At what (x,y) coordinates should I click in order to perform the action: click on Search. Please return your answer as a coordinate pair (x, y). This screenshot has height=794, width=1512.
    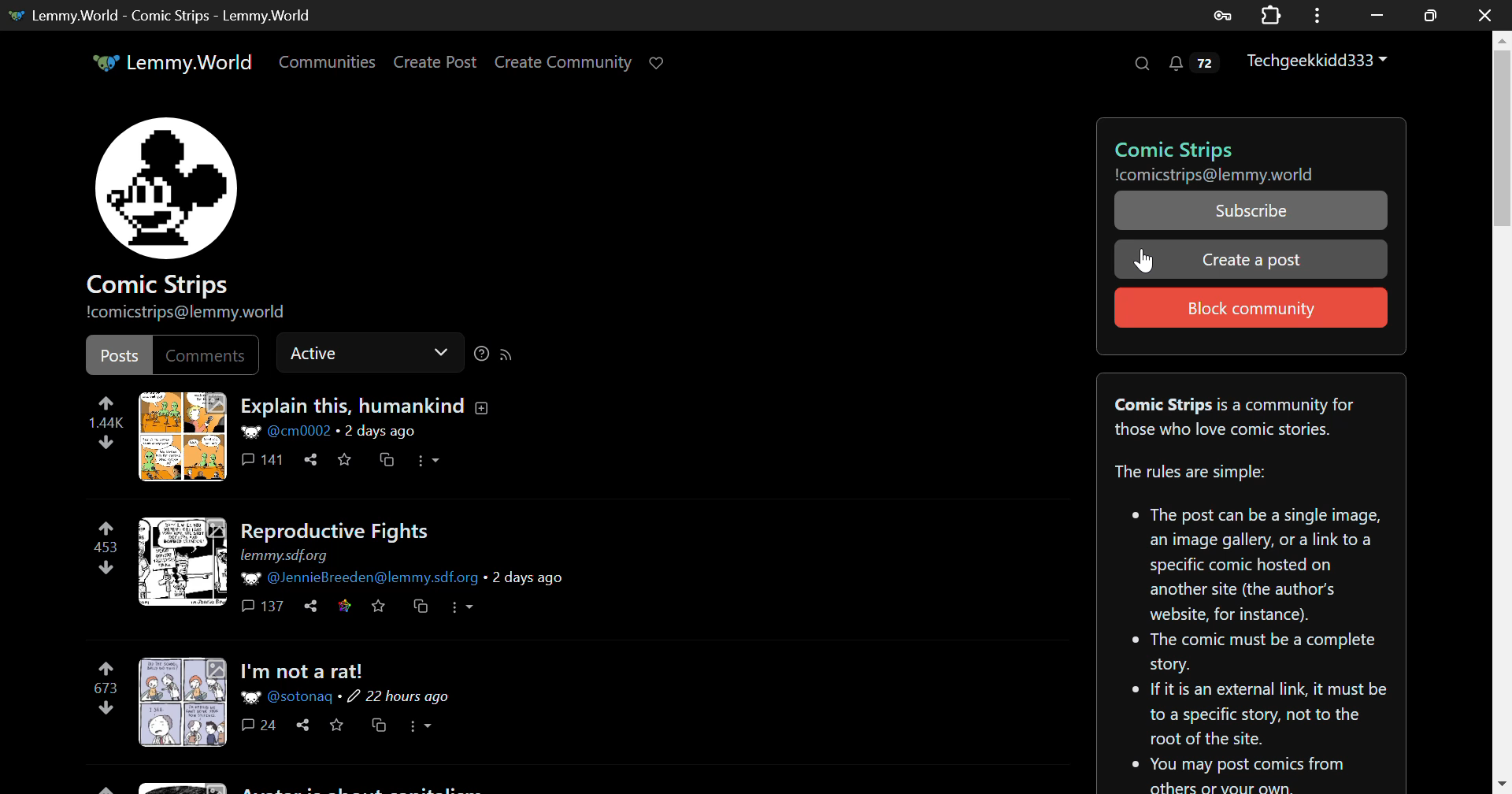
    Looking at the image, I should click on (1140, 64).